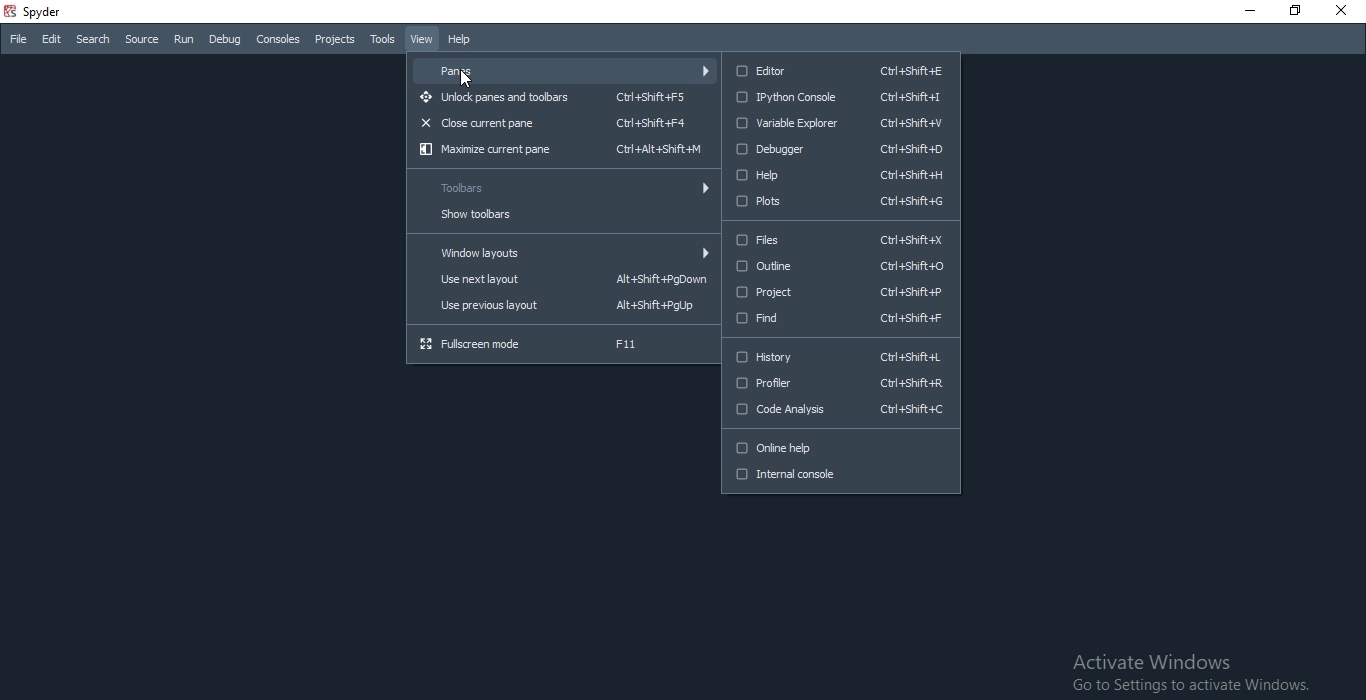  What do you see at coordinates (563, 124) in the screenshot?
I see `Close current pane` at bounding box center [563, 124].